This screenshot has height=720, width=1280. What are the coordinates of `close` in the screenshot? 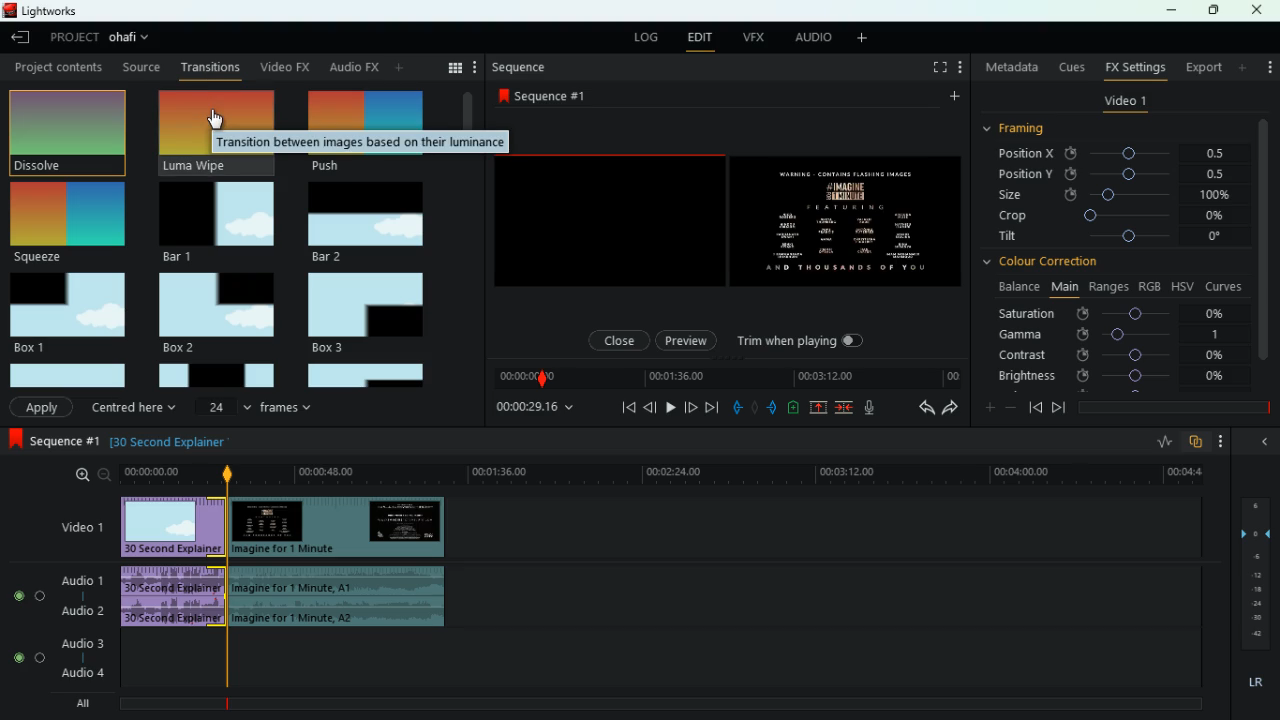 It's located at (1258, 10).